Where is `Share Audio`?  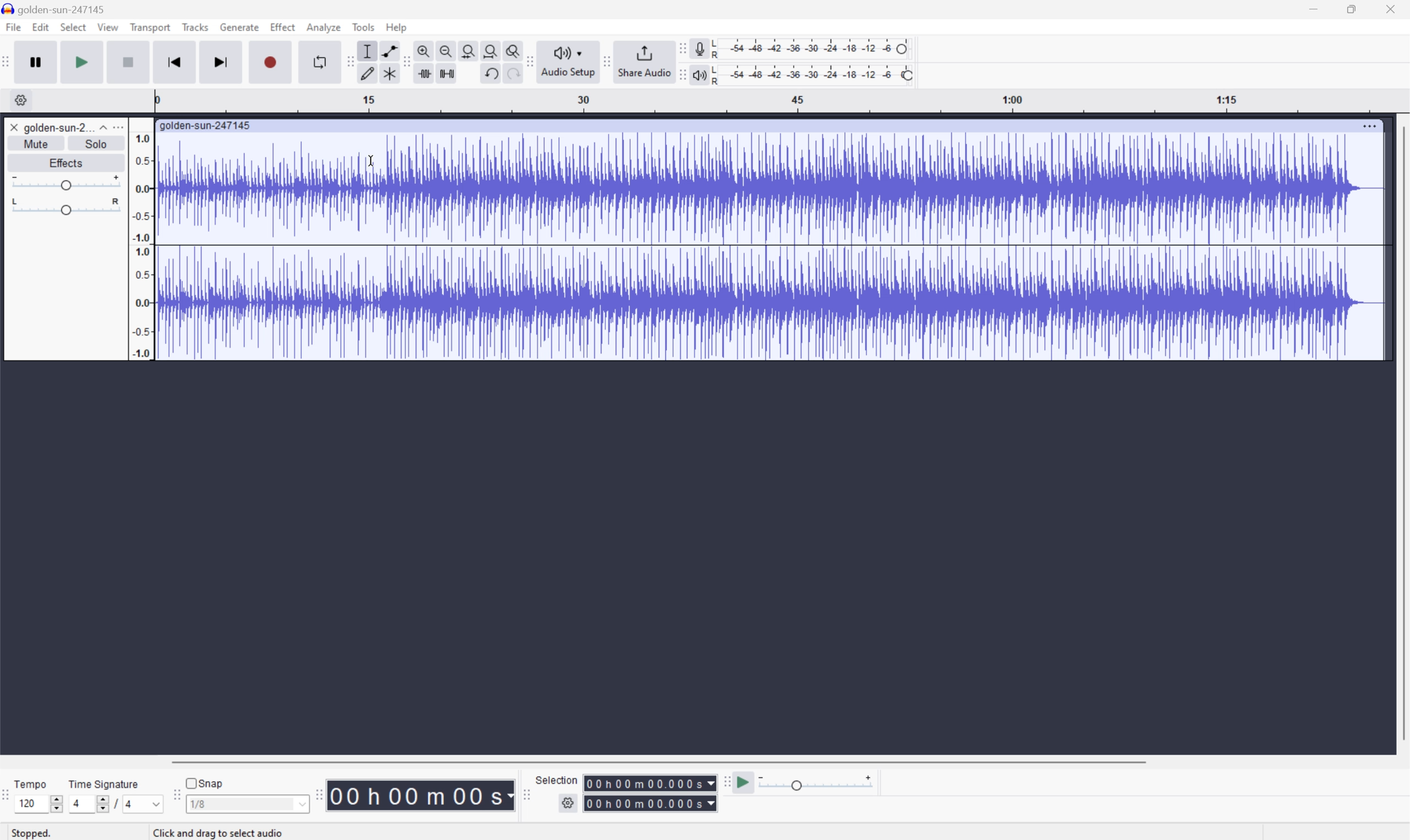
Share Audio is located at coordinates (642, 61).